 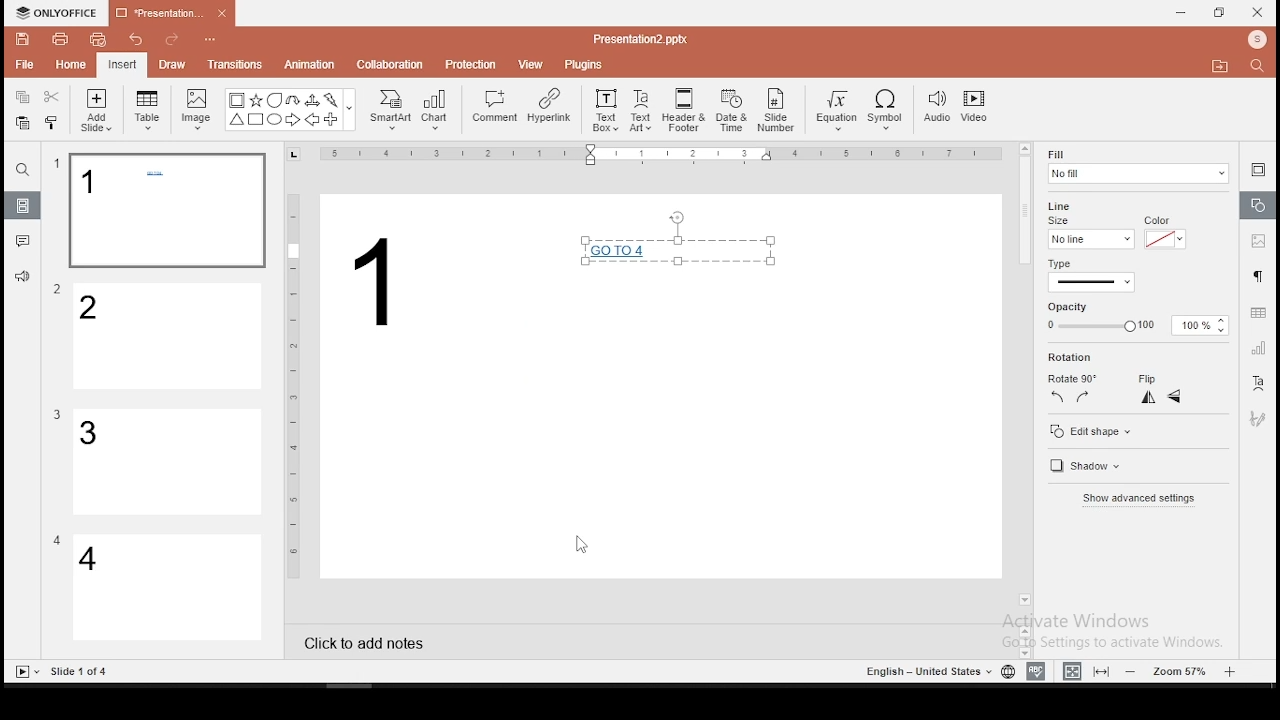 What do you see at coordinates (1137, 501) in the screenshot?
I see `show advanced settings` at bounding box center [1137, 501].